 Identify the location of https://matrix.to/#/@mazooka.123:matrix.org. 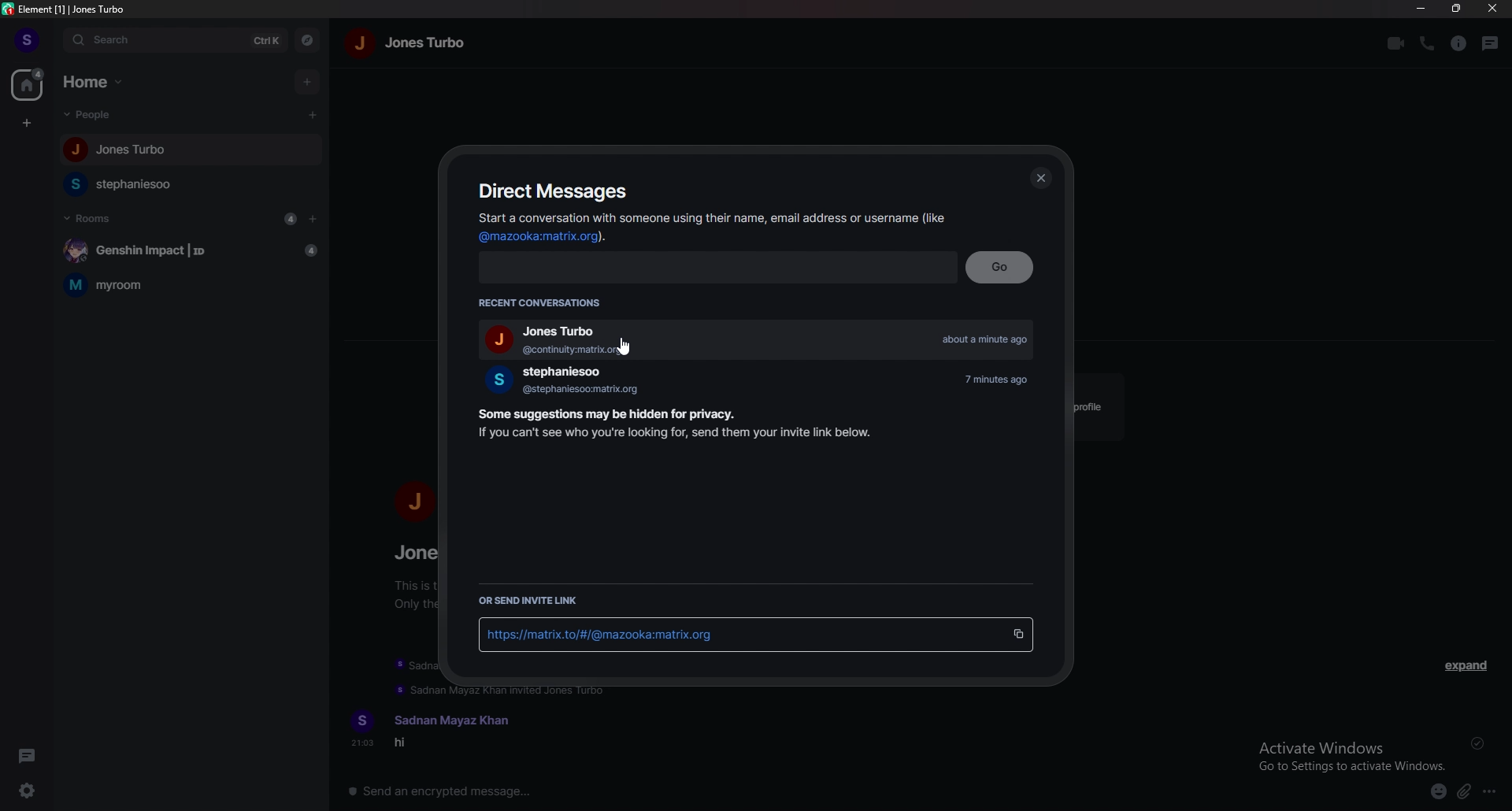
(733, 636).